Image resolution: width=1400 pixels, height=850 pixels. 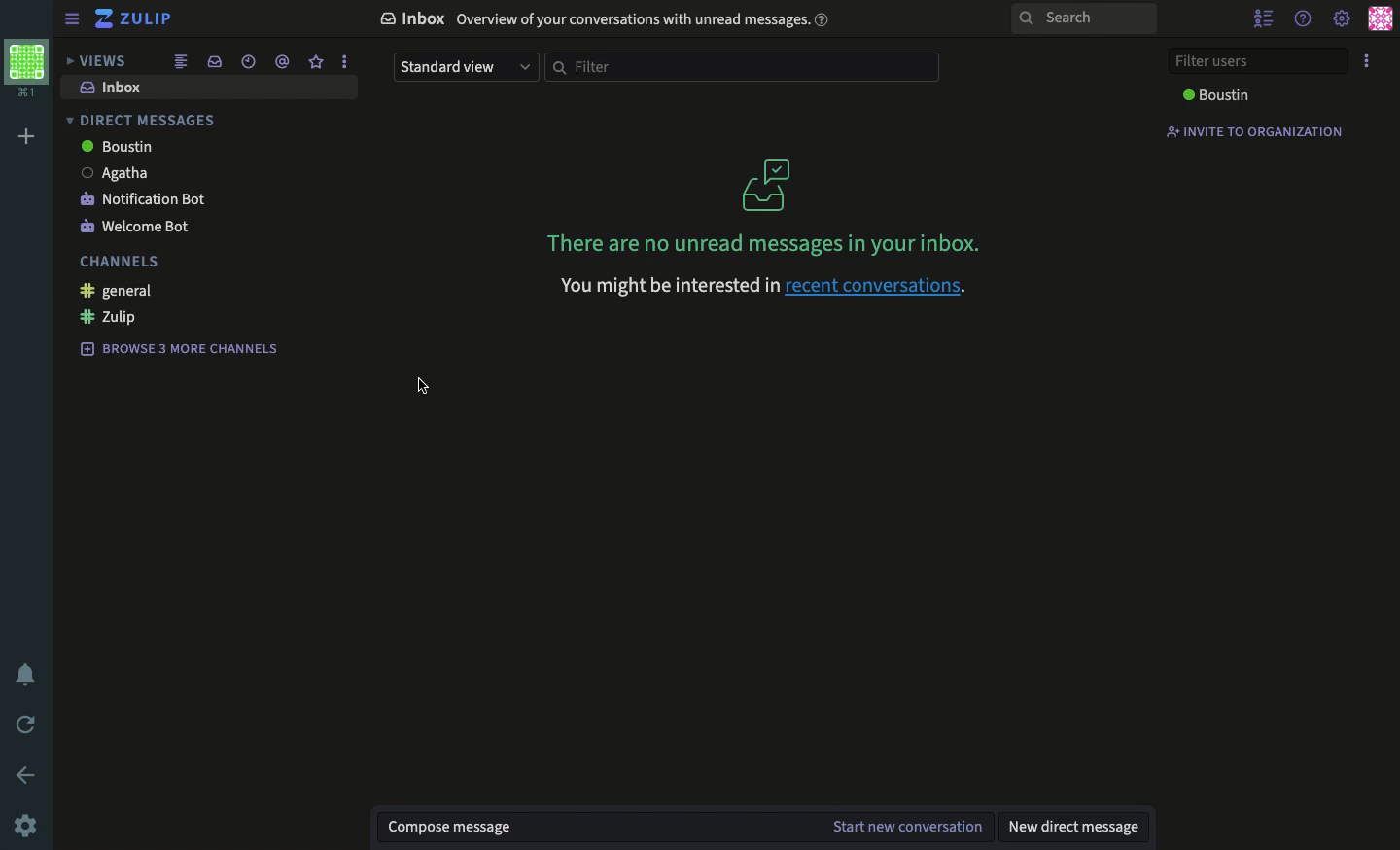 What do you see at coordinates (26, 824) in the screenshot?
I see `settings` at bounding box center [26, 824].